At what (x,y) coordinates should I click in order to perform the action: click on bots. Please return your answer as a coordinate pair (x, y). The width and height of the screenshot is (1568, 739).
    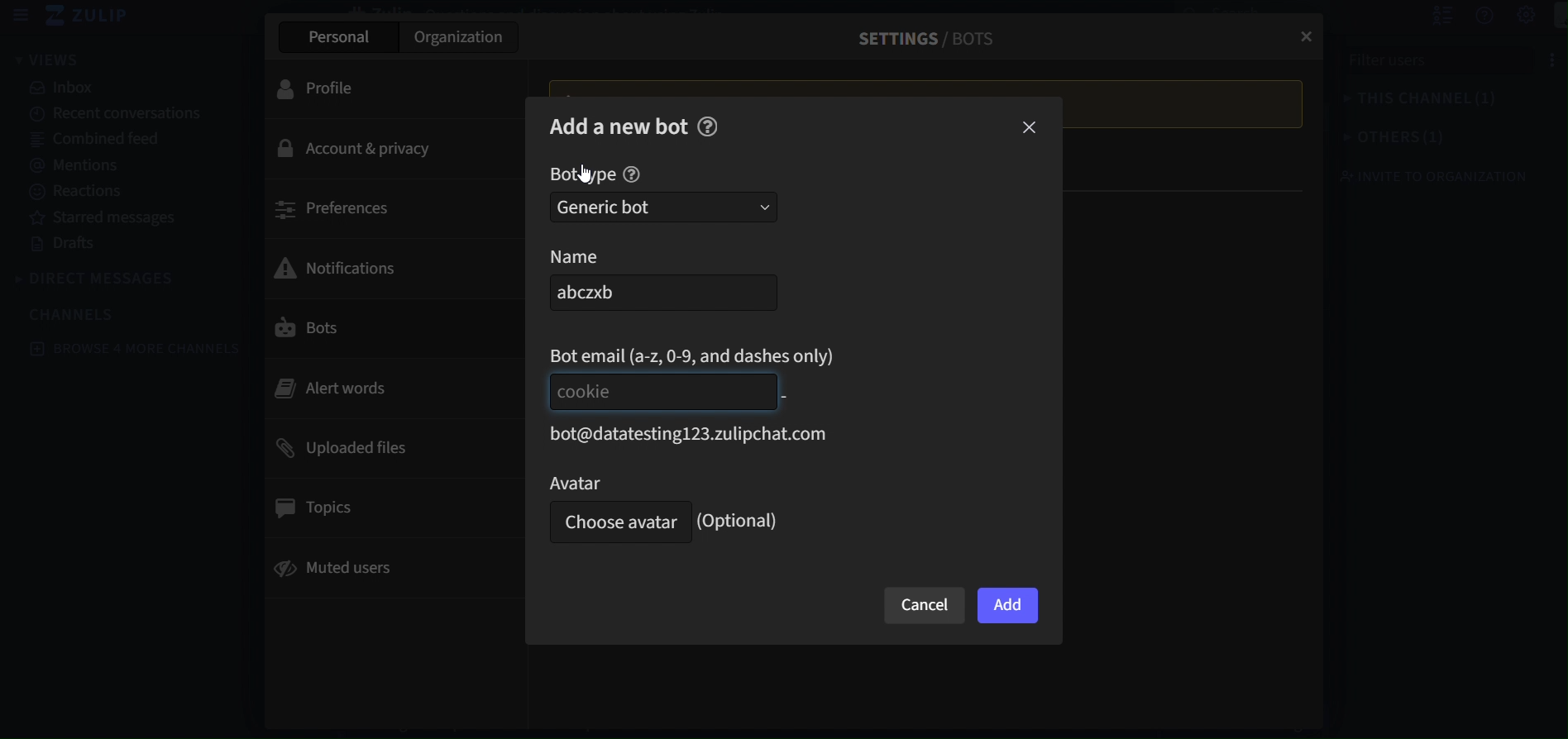
    Looking at the image, I should click on (380, 329).